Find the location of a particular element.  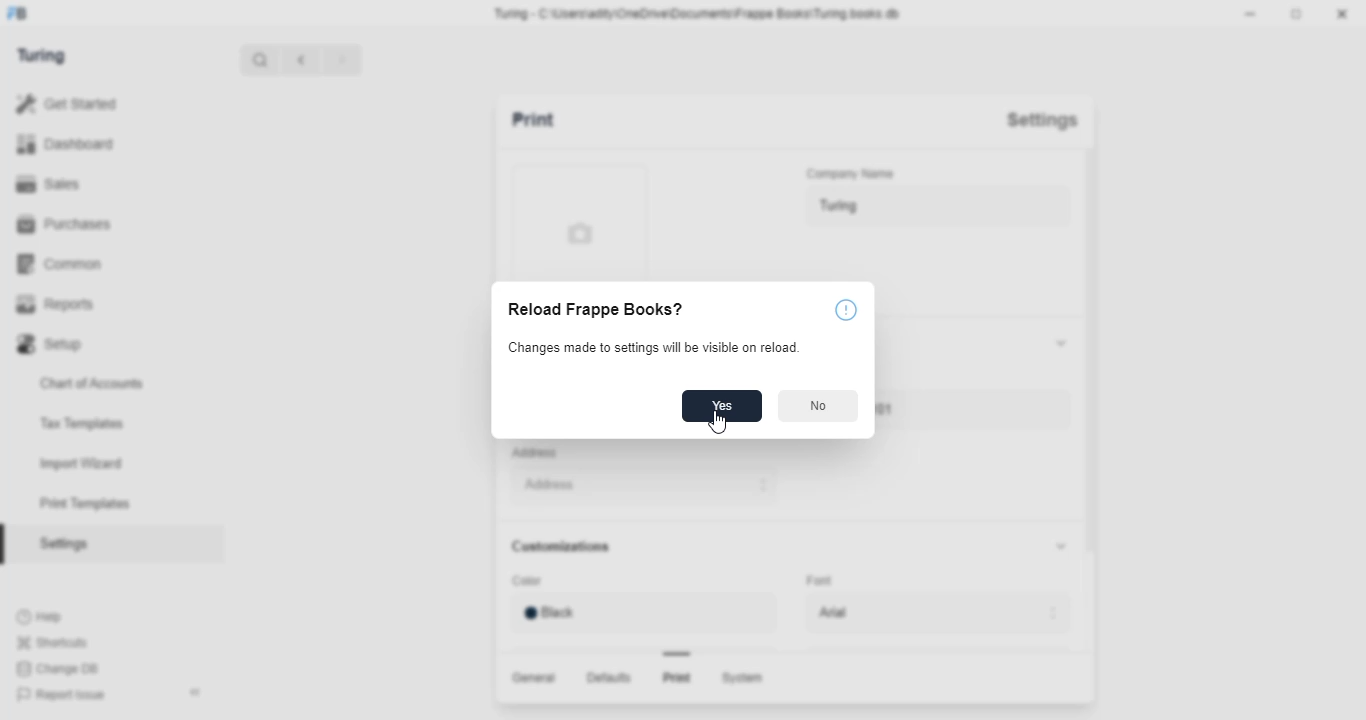

Eont is located at coordinates (822, 578).